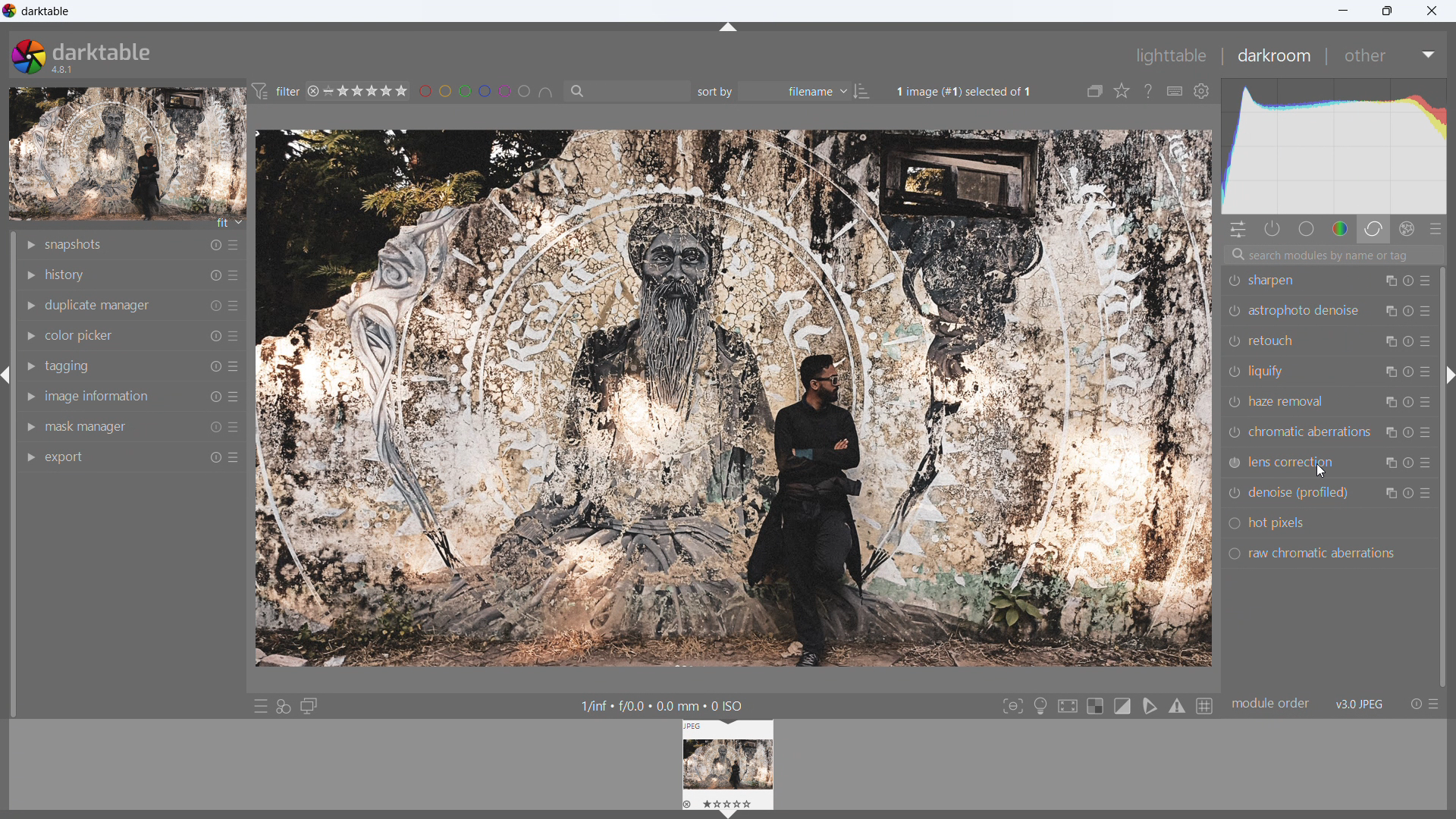 The width and height of the screenshot is (1456, 819). I want to click on maximize, so click(1387, 11).